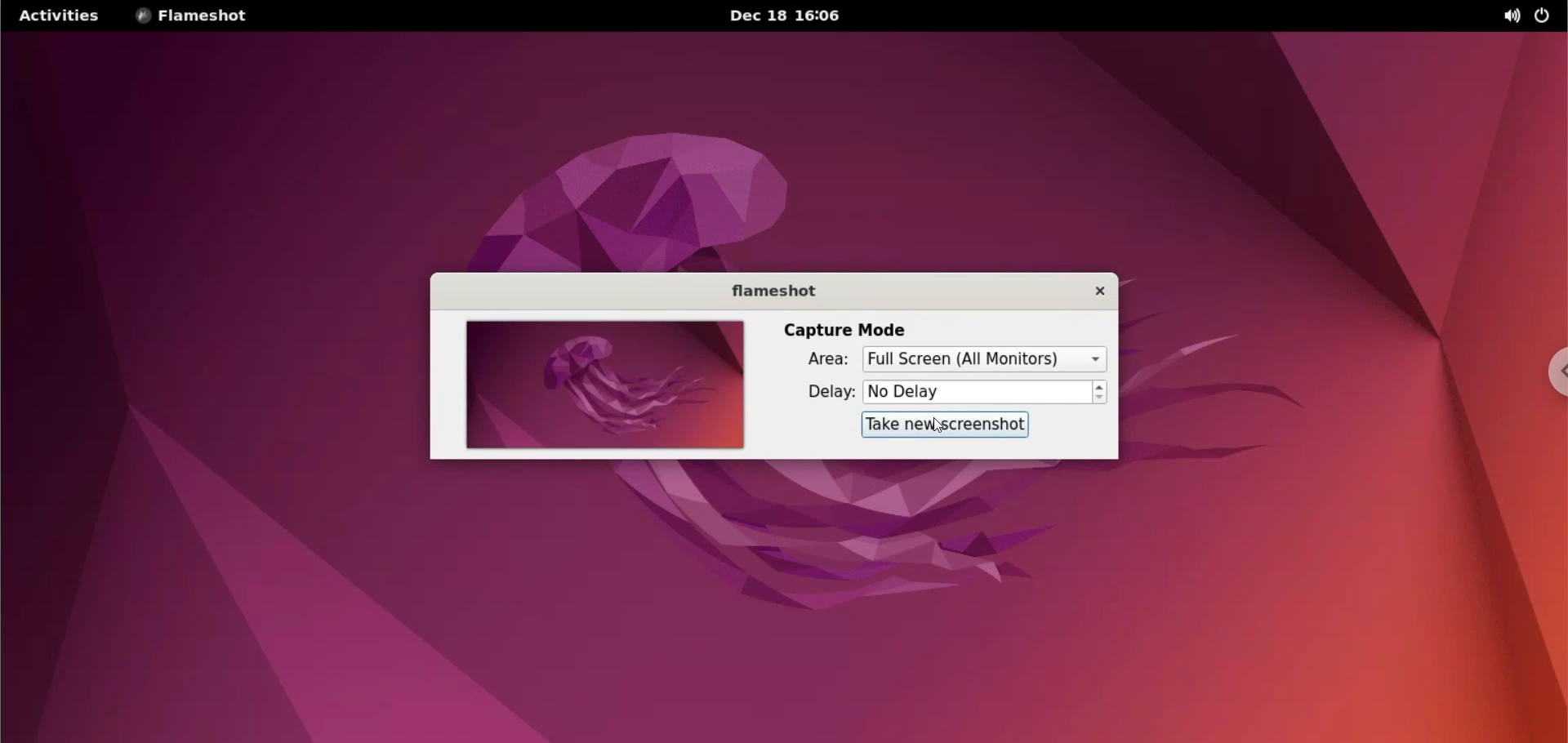  Describe the element at coordinates (830, 359) in the screenshot. I see `capture area label` at that location.